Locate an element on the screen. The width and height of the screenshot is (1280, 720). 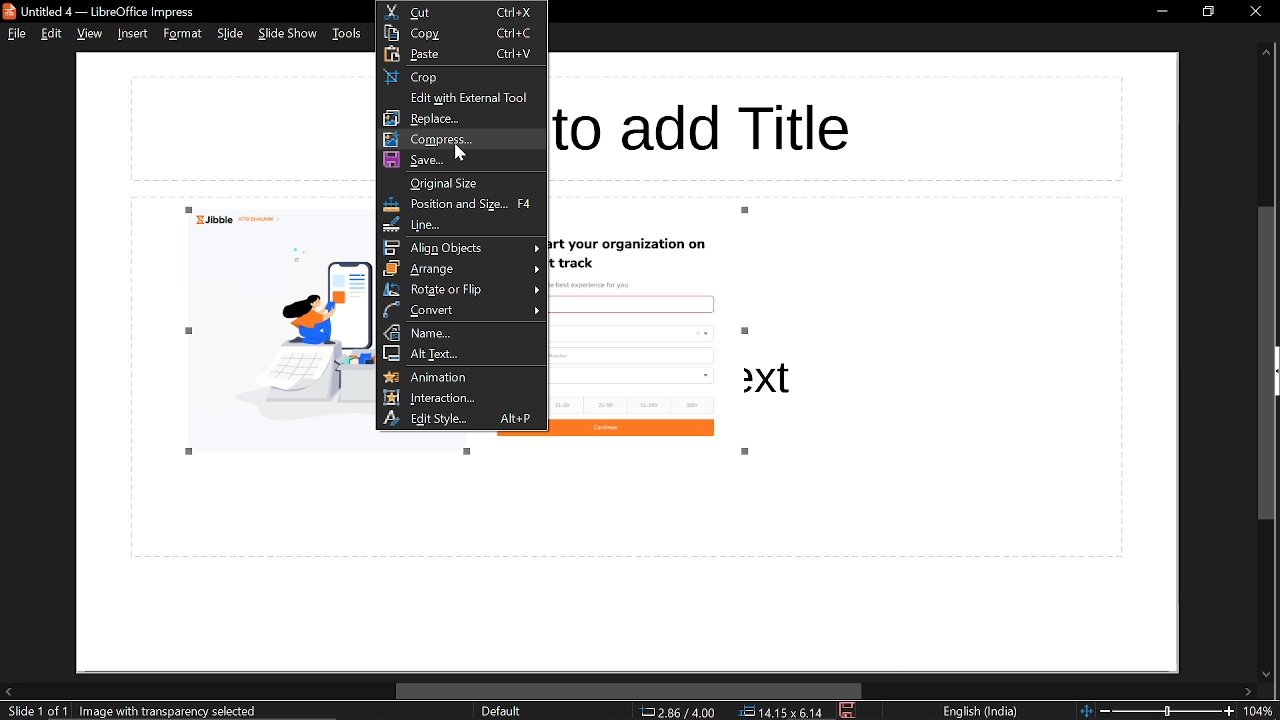
co-ordinate is located at coordinates (678, 711).